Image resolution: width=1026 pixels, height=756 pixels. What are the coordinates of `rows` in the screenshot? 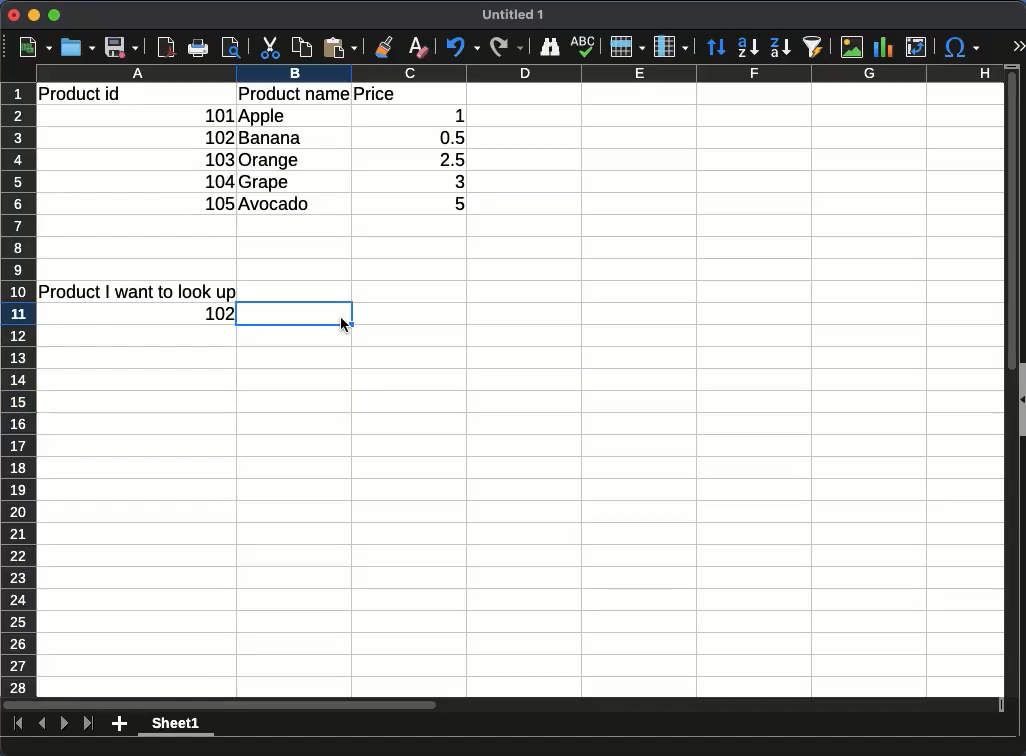 It's located at (628, 46).